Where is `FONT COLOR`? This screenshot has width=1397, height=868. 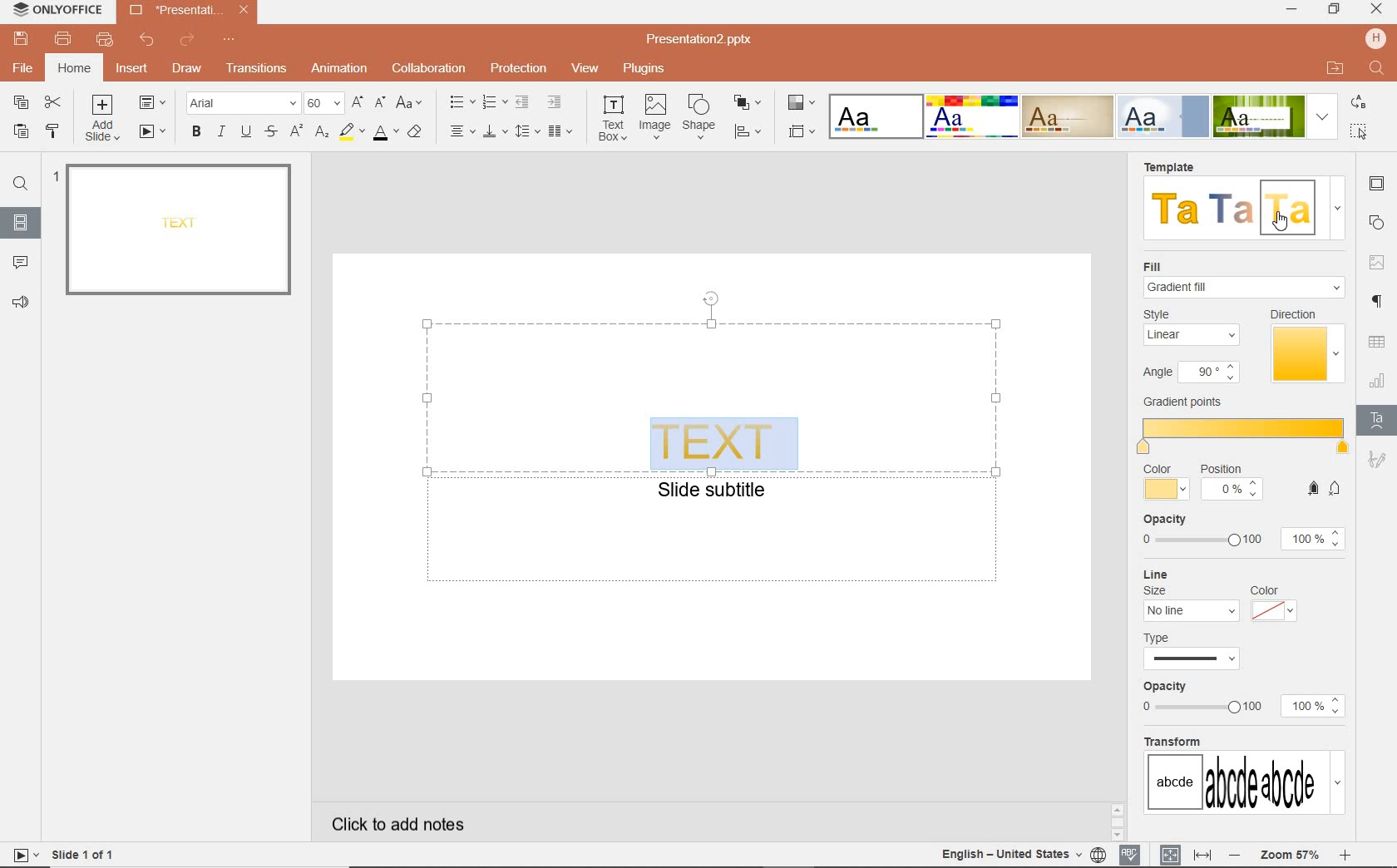
FONT COLOR is located at coordinates (384, 133).